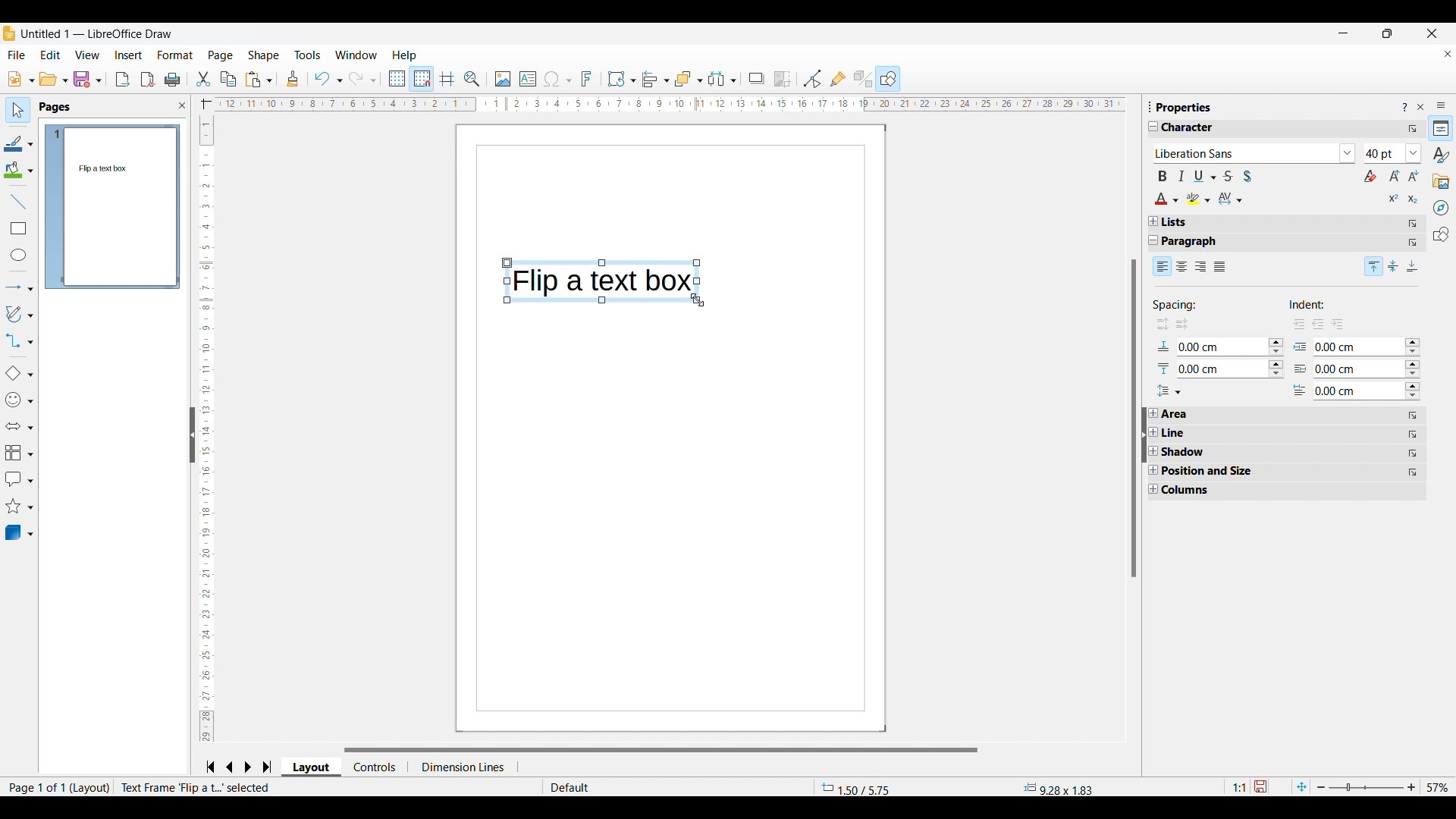 The width and height of the screenshot is (1456, 819). Describe the element at coordinates (587, 79) in the screenshot. I see `Insert fontwork text` at that location.